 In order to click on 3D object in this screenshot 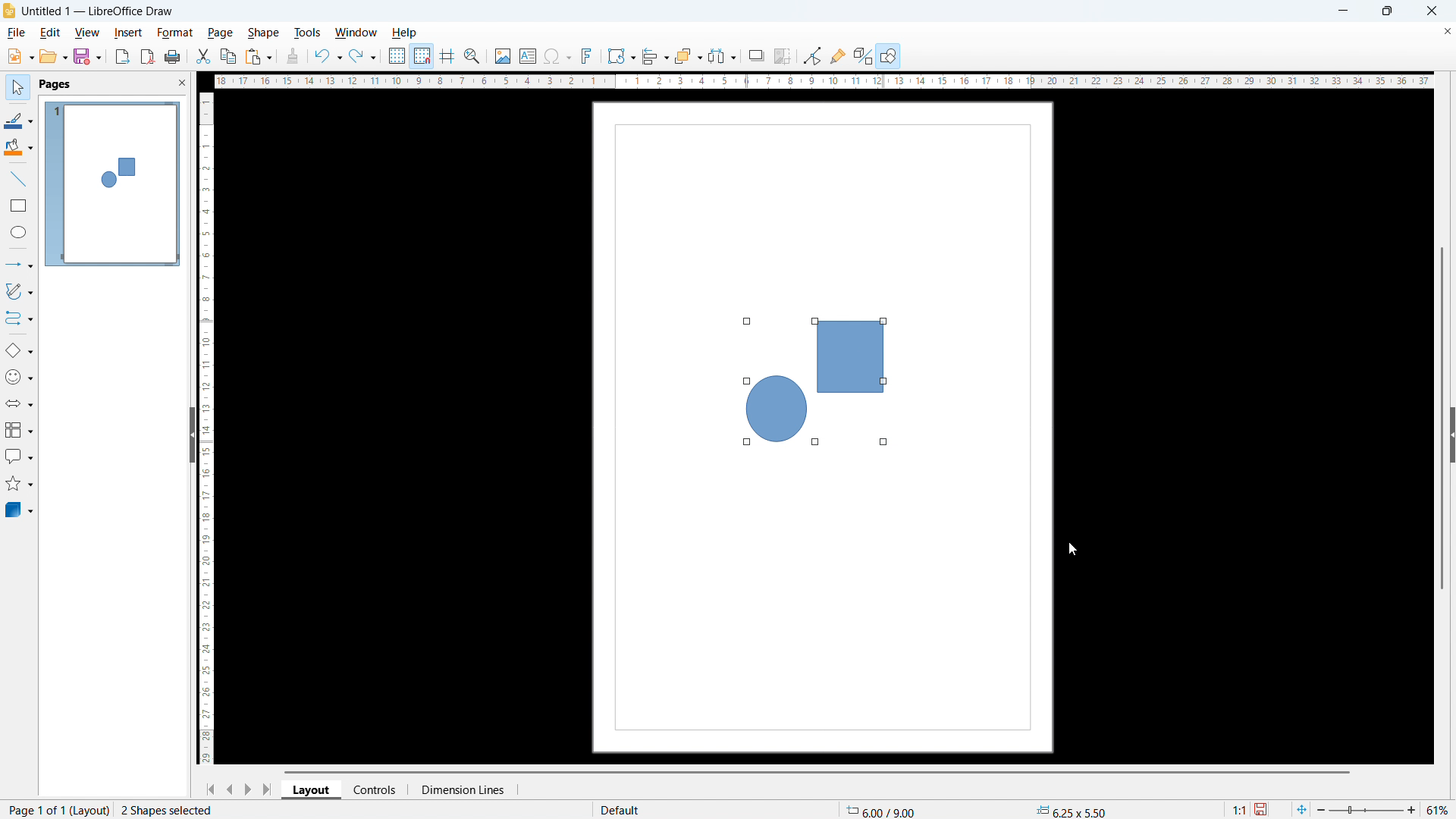, I will do `click(20, 510)`.